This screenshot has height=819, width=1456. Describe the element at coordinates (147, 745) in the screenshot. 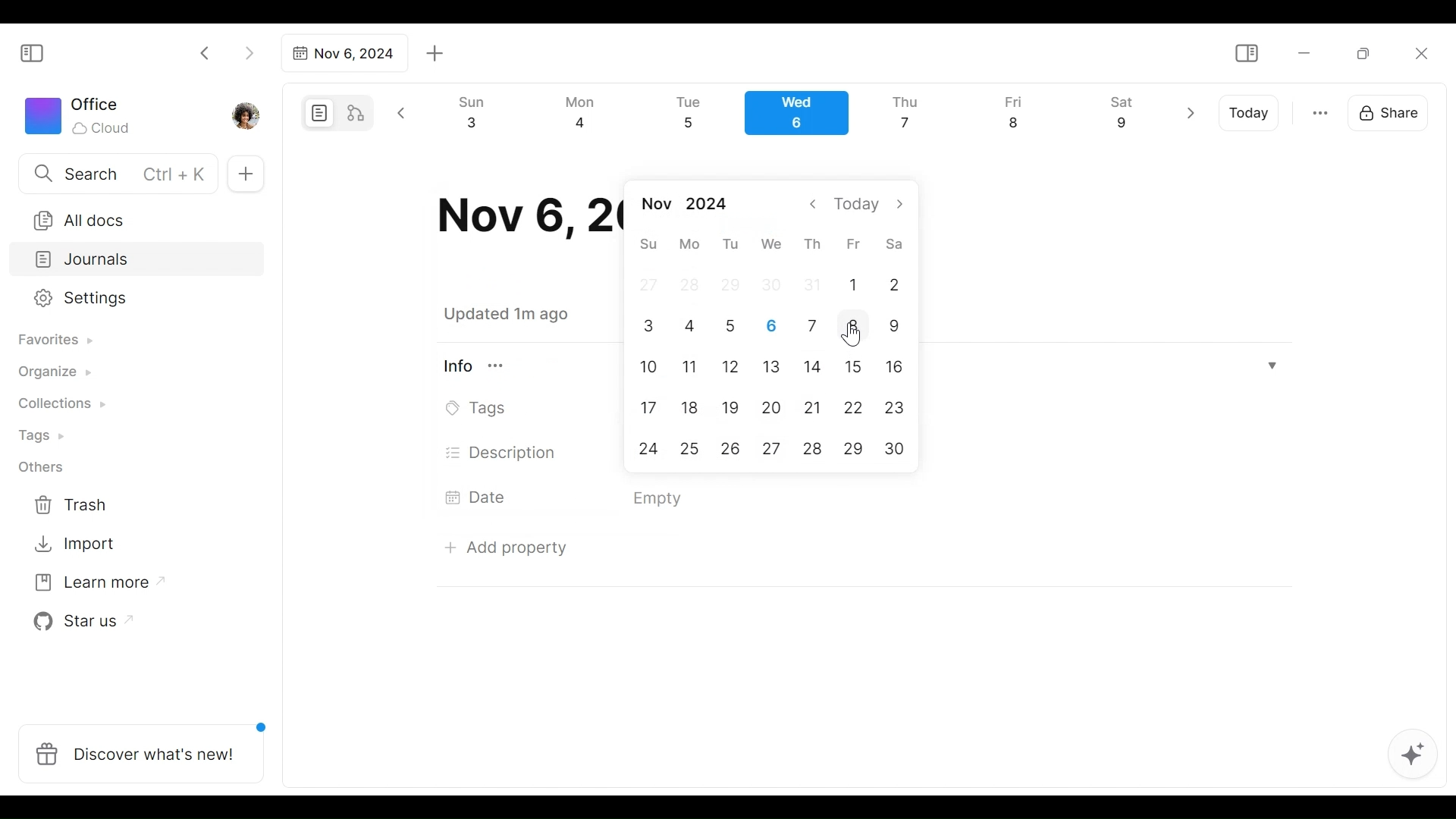

I see `Discover what's new` at that location.